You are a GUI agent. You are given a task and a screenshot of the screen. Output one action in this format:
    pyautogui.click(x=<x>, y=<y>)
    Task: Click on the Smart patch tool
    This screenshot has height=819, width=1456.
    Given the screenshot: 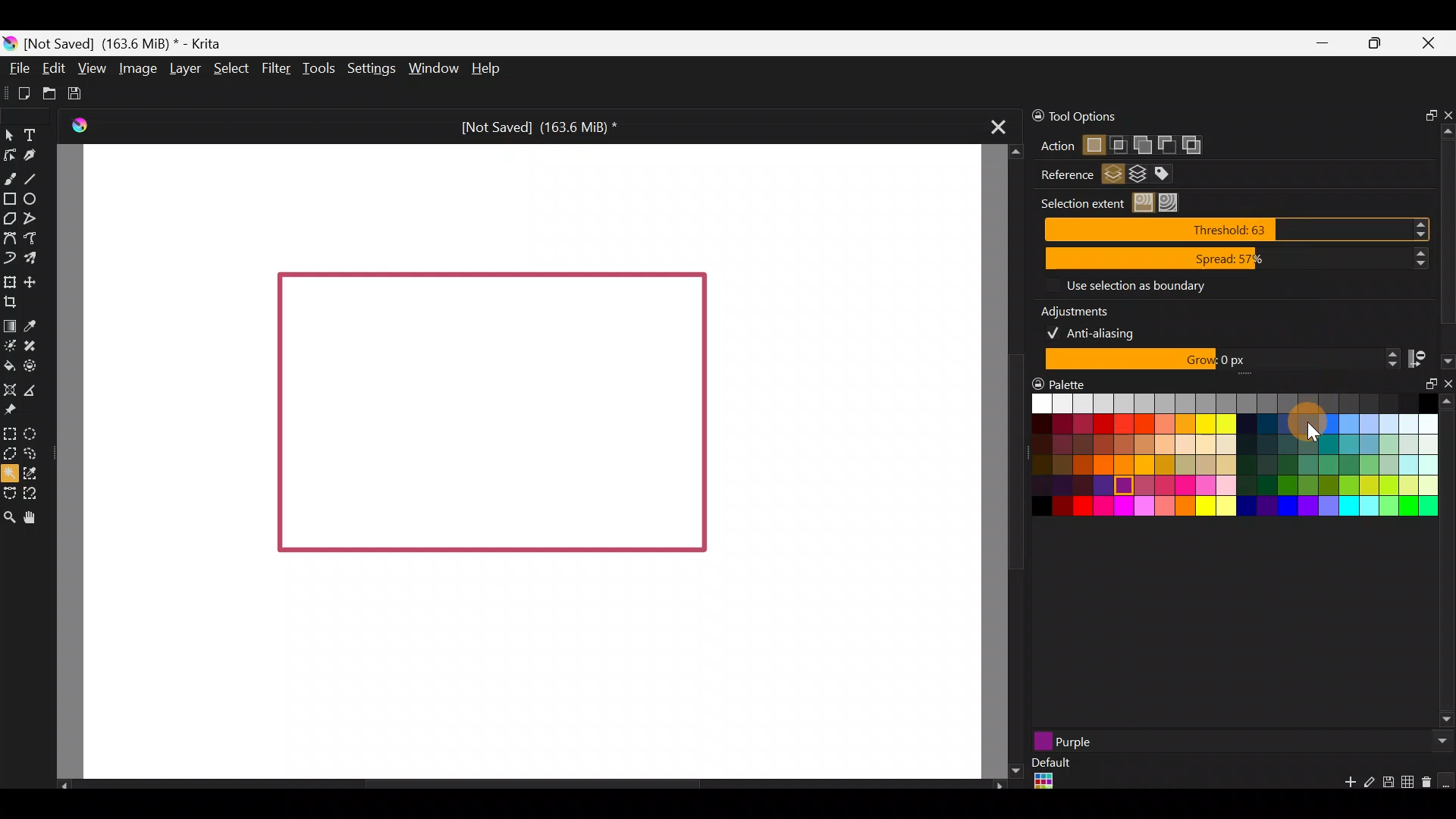 What is the action you would take?
    pyautogui.click(x=36, y=344)
    